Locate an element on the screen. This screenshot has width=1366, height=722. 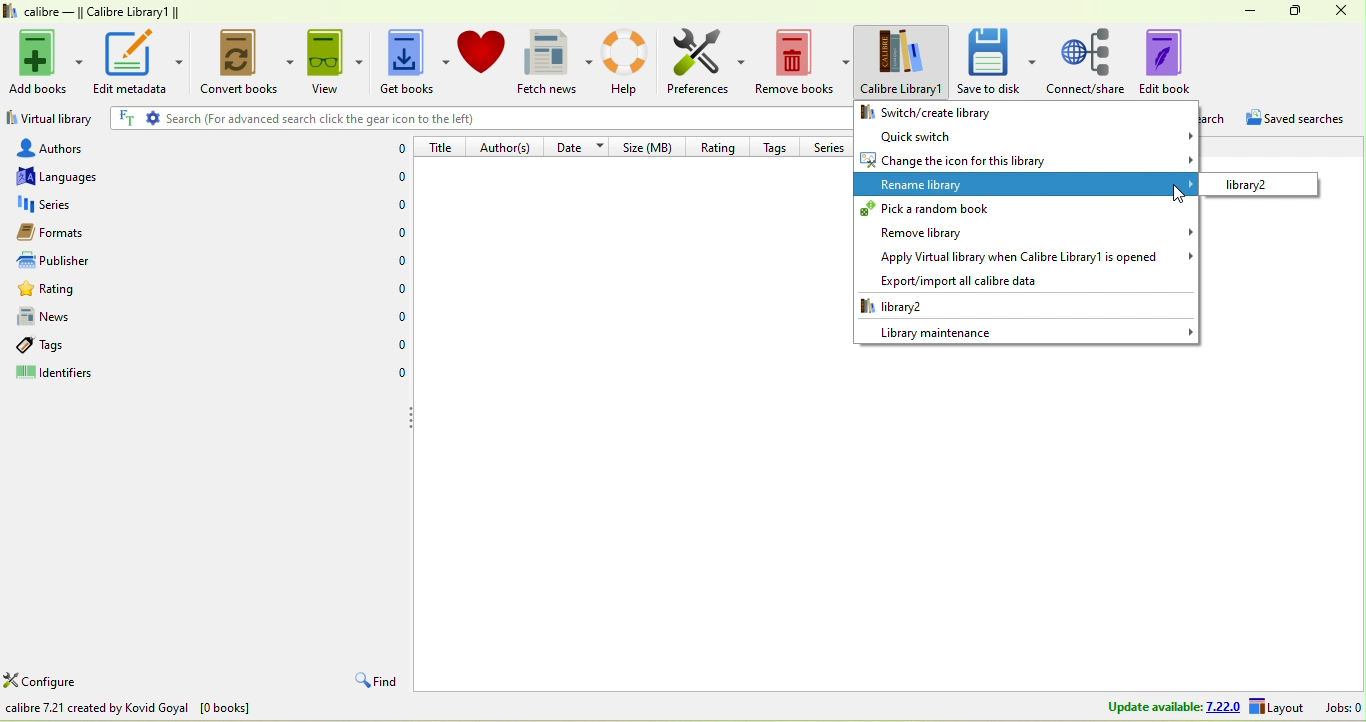
formats is located at coordinates (75, 232).